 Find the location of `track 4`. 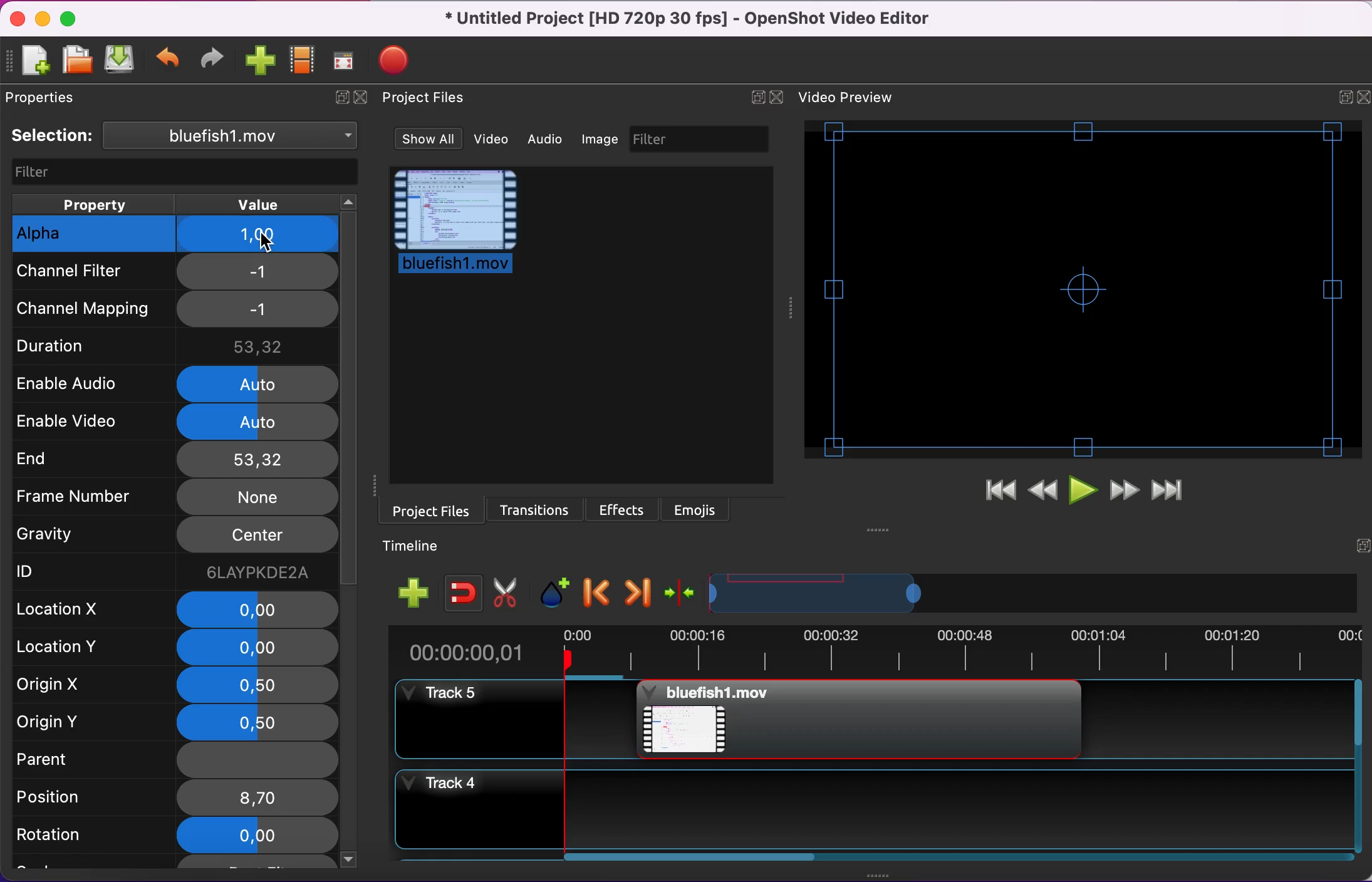

track 4 is located at coordinates (872, 809).